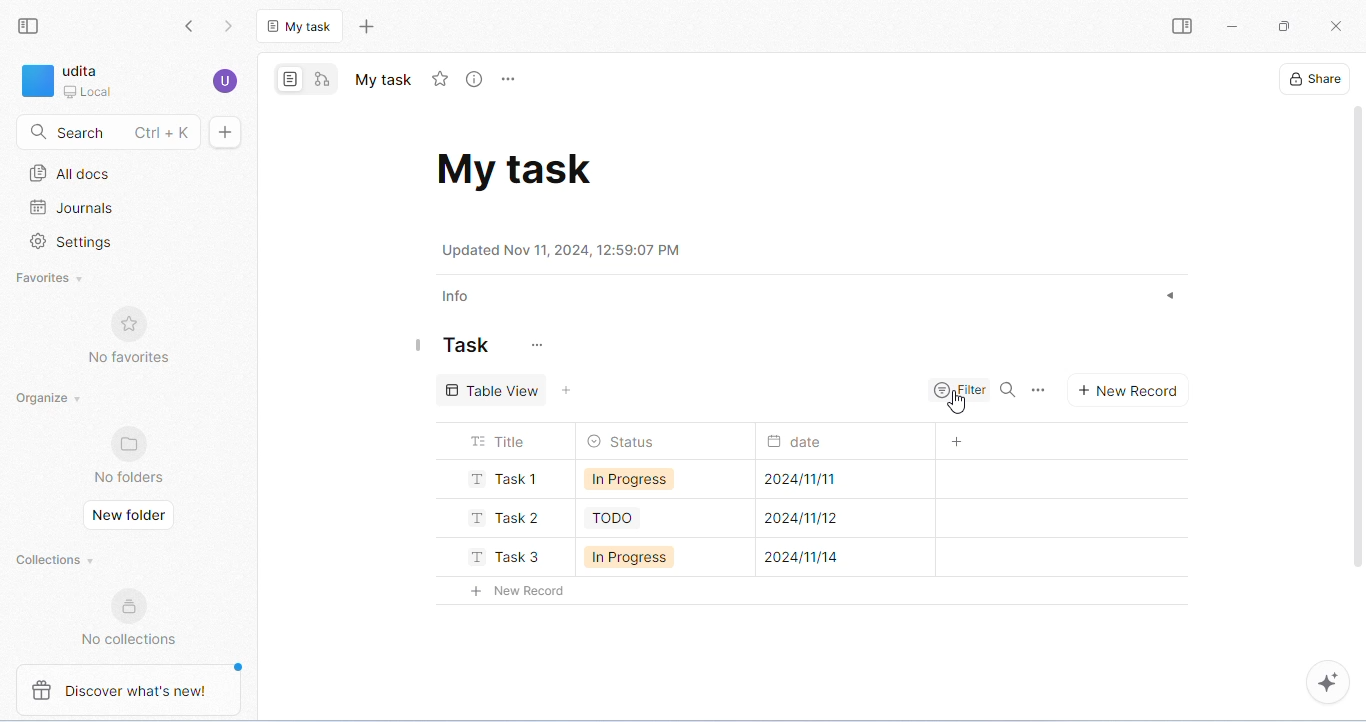  Describe the element at coordinates (565, 249) in the screenshot. I see `date and time of update` at that location.